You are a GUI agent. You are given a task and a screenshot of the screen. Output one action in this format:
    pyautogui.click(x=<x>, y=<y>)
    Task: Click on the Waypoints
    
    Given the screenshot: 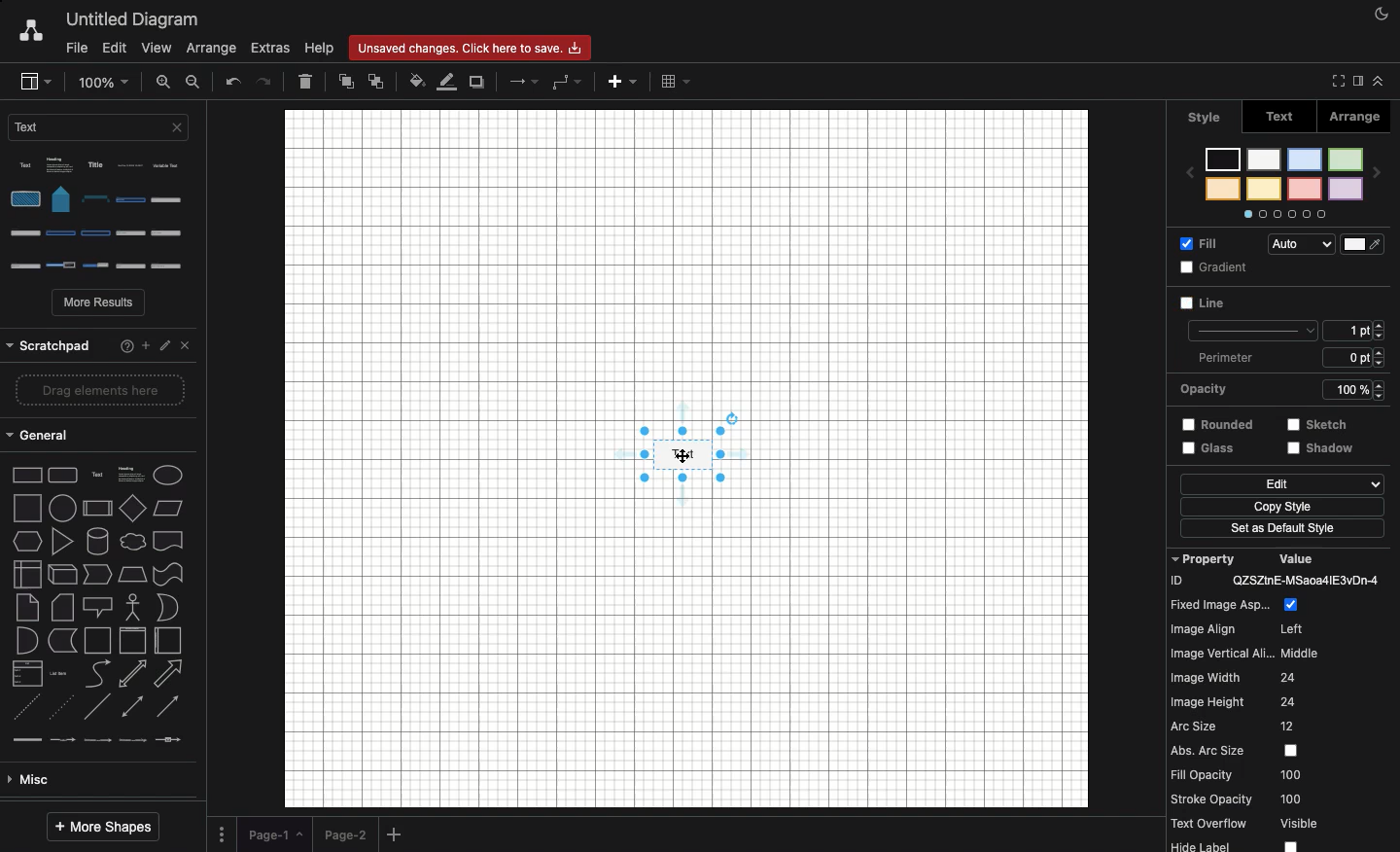 What is the action you would take?
    pyautogui.click(x=567, y=83)
    